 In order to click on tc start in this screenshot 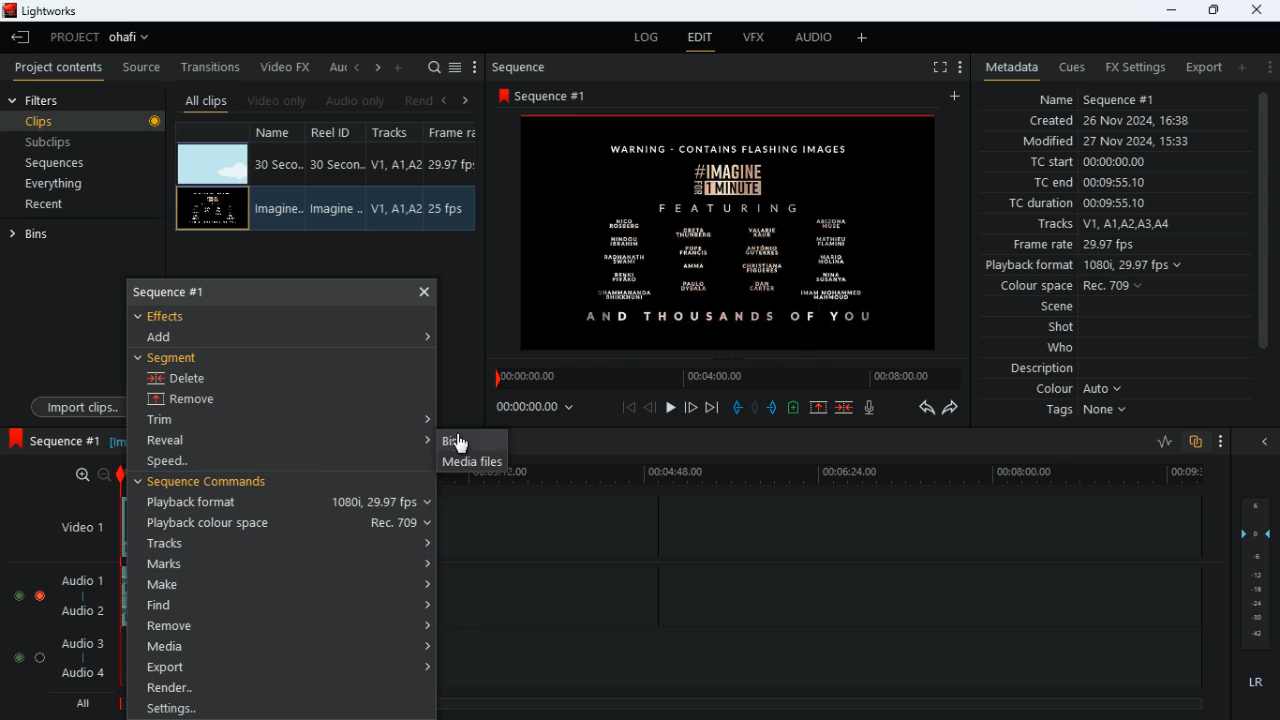, I will do `click(1118, 163)`.